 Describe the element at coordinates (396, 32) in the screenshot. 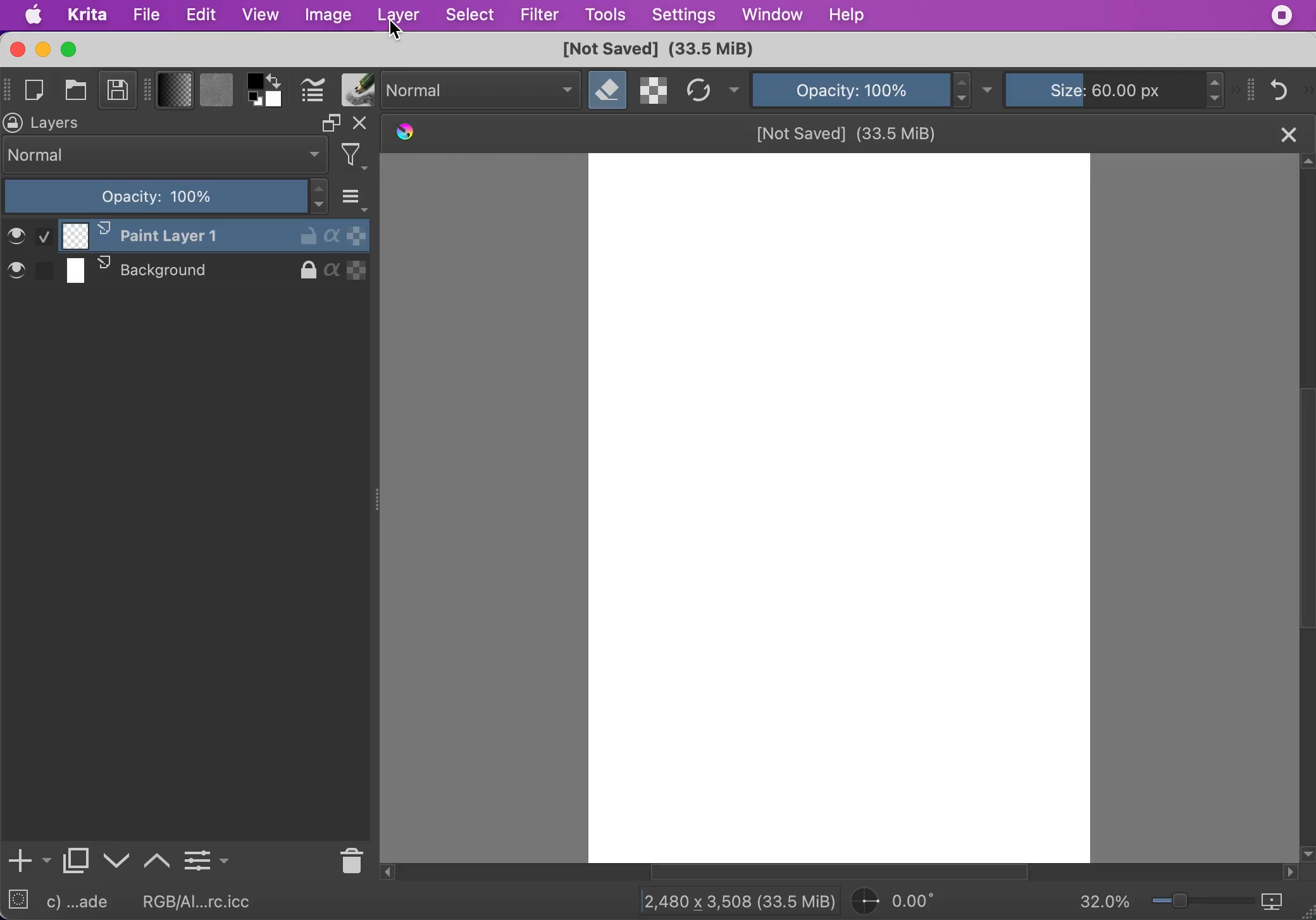

I see `cursor` at that location.